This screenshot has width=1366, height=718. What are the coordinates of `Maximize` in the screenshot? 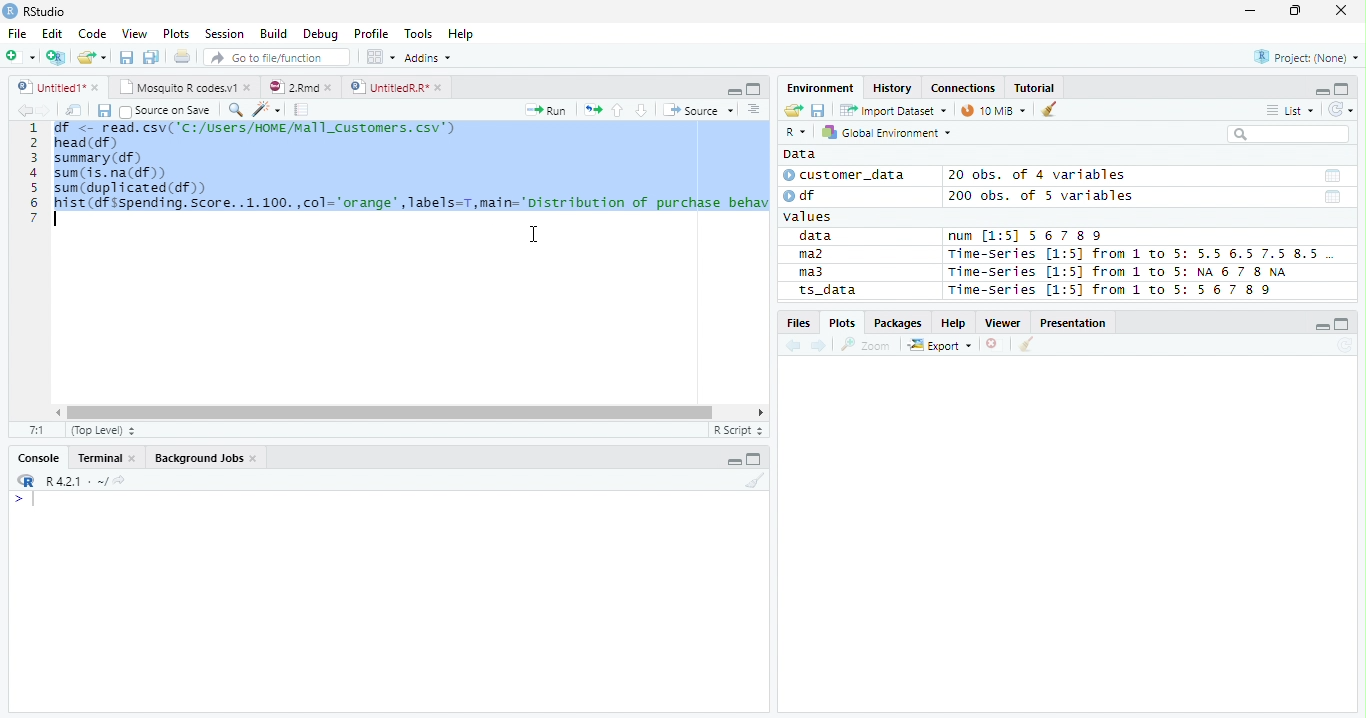 It's located at (1344, 324).